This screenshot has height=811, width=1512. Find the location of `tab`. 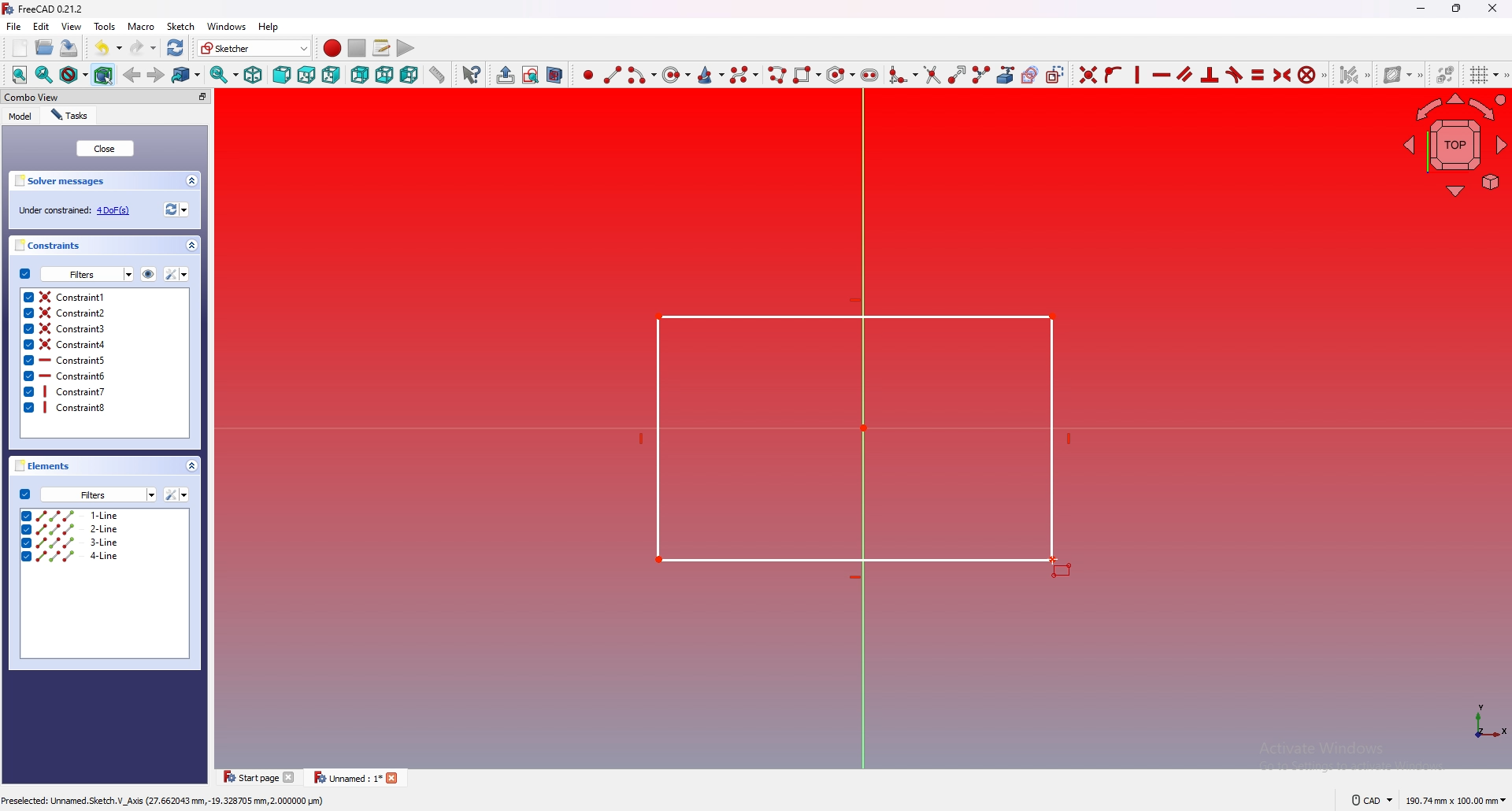

tab is located at coordinates (354, 776).